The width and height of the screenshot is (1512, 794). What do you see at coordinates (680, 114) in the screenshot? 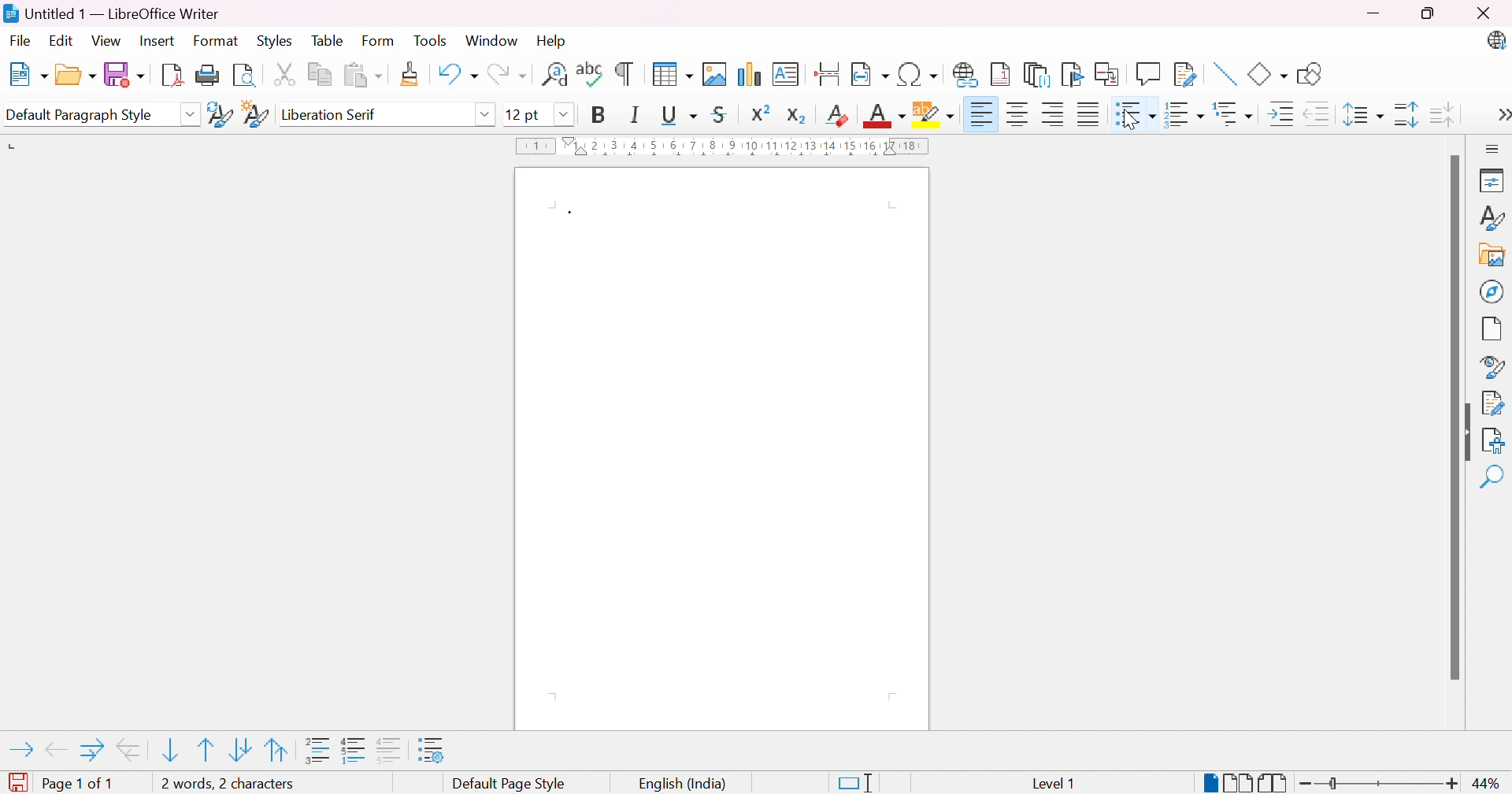
I see `Underline` at bounding box center [680, 114].